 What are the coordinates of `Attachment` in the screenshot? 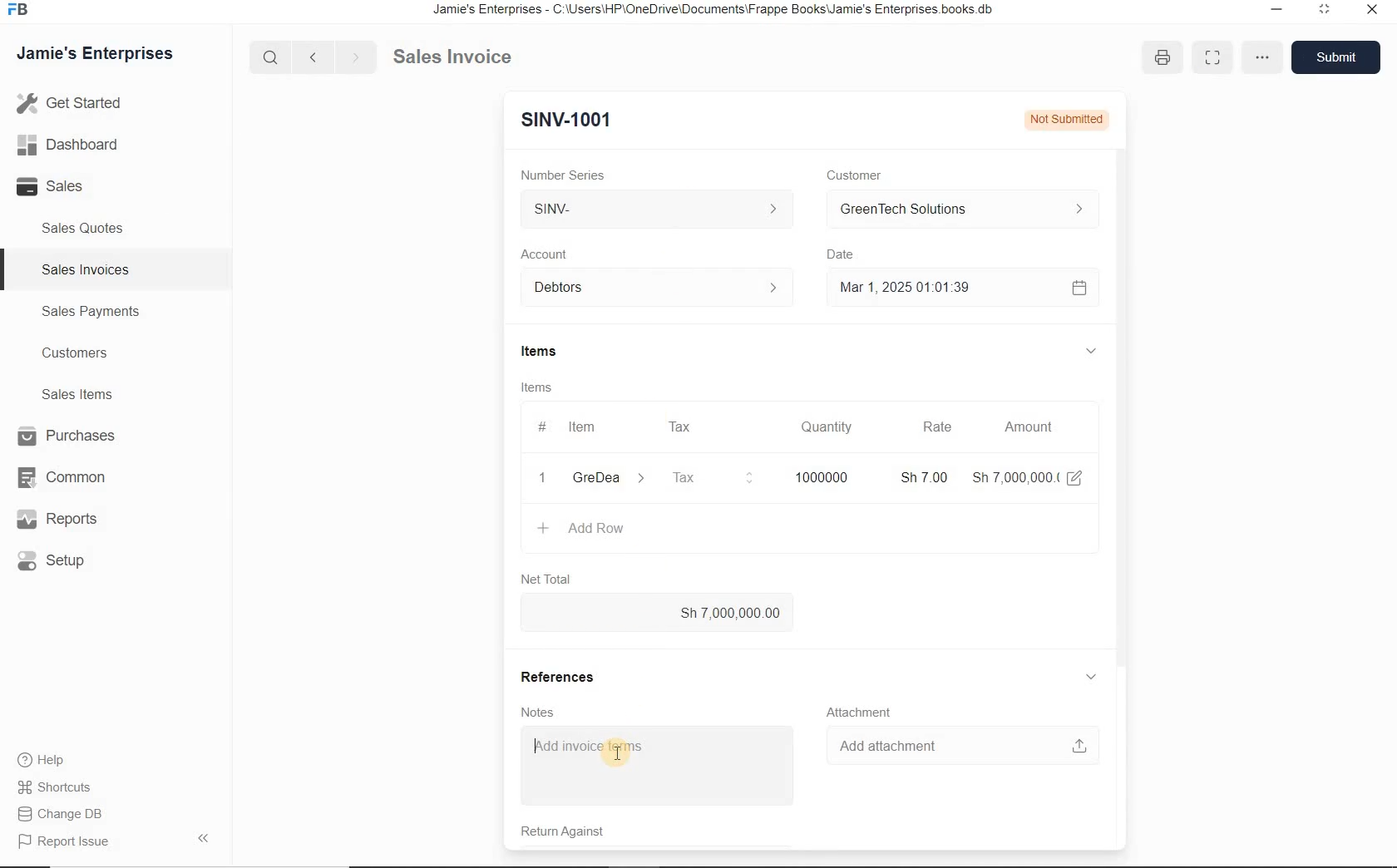 It's located at (863, 711).